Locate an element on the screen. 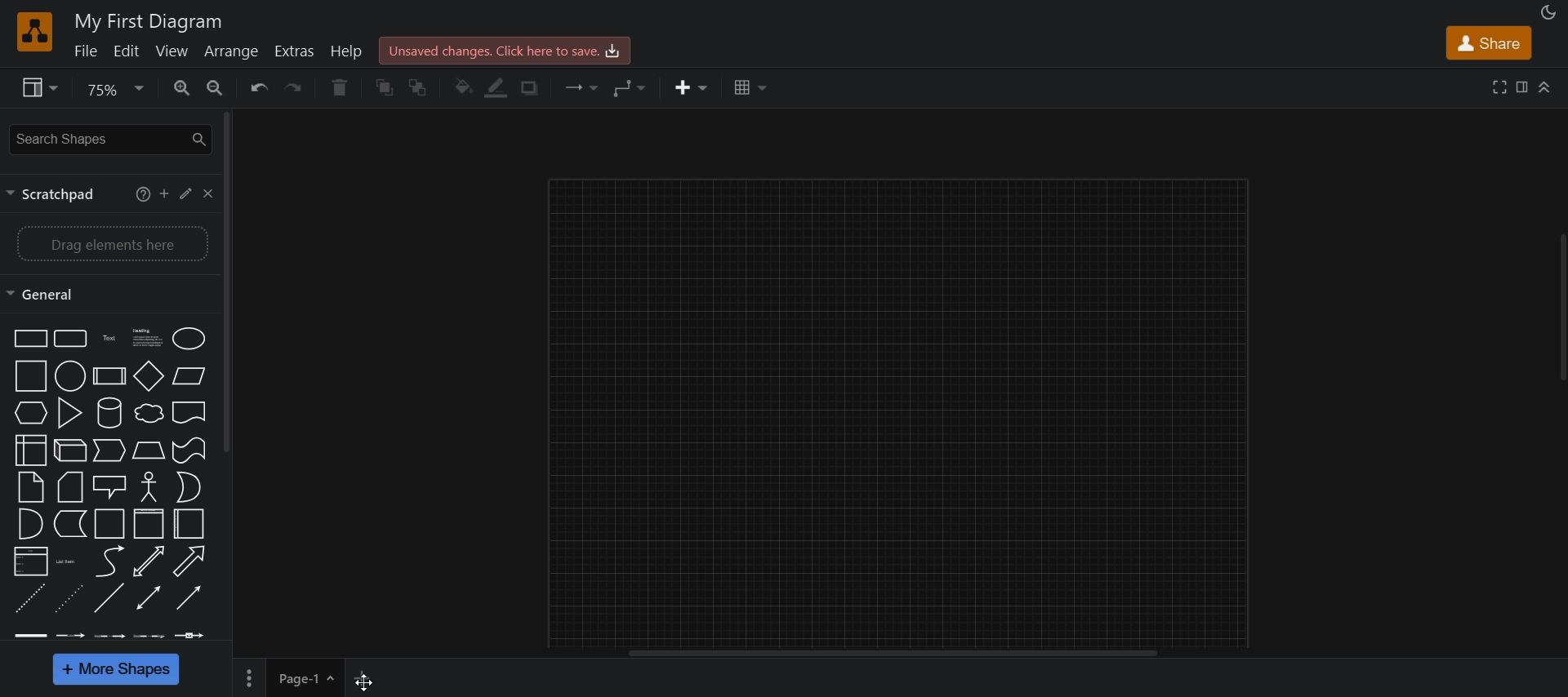 Image resolution: width=1568 pixels, height=697 pixels. zoom in is located at coordinates (180, 89).